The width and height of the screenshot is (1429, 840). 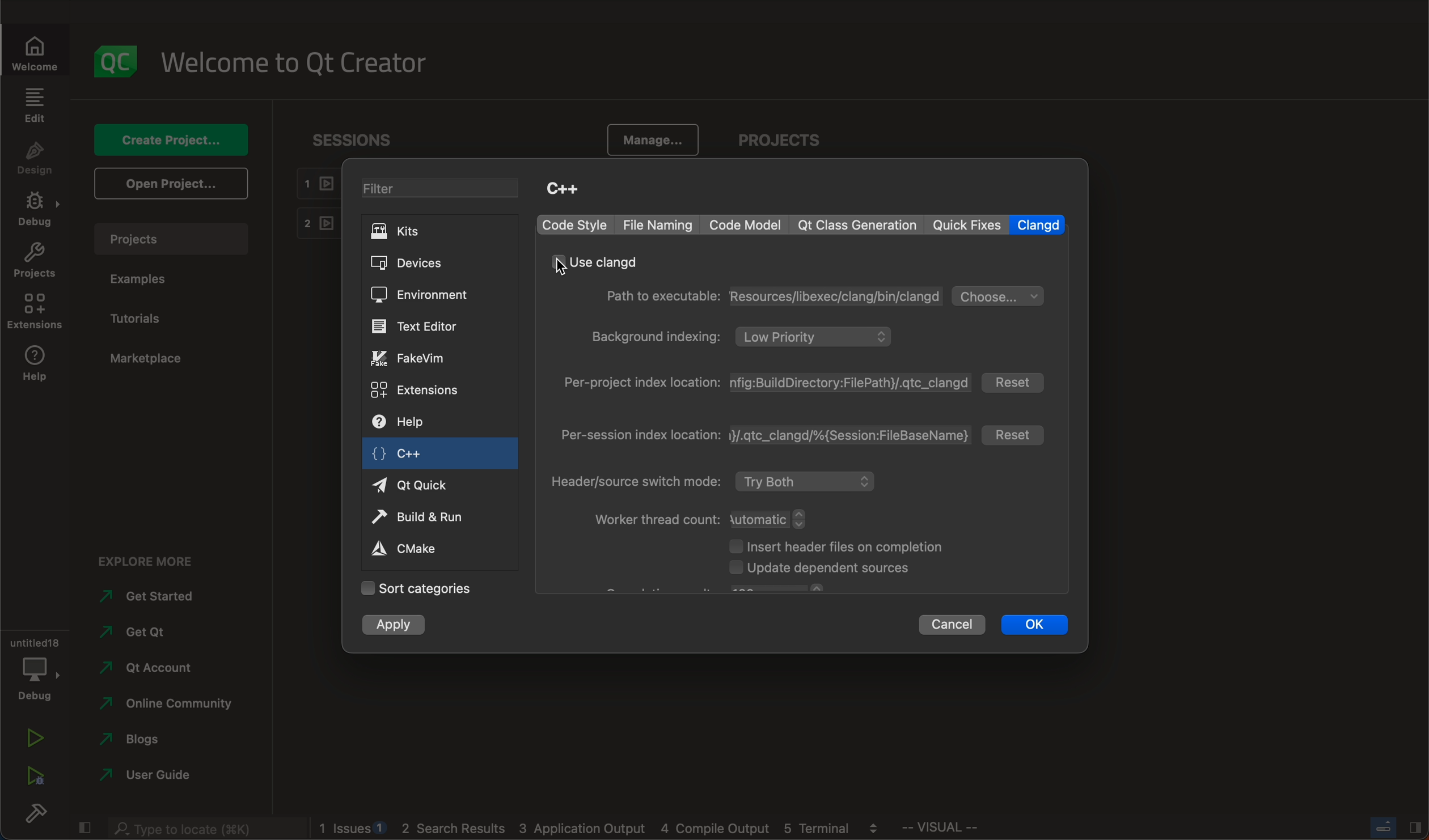 I want to click on design, so click(x=39, y=160).